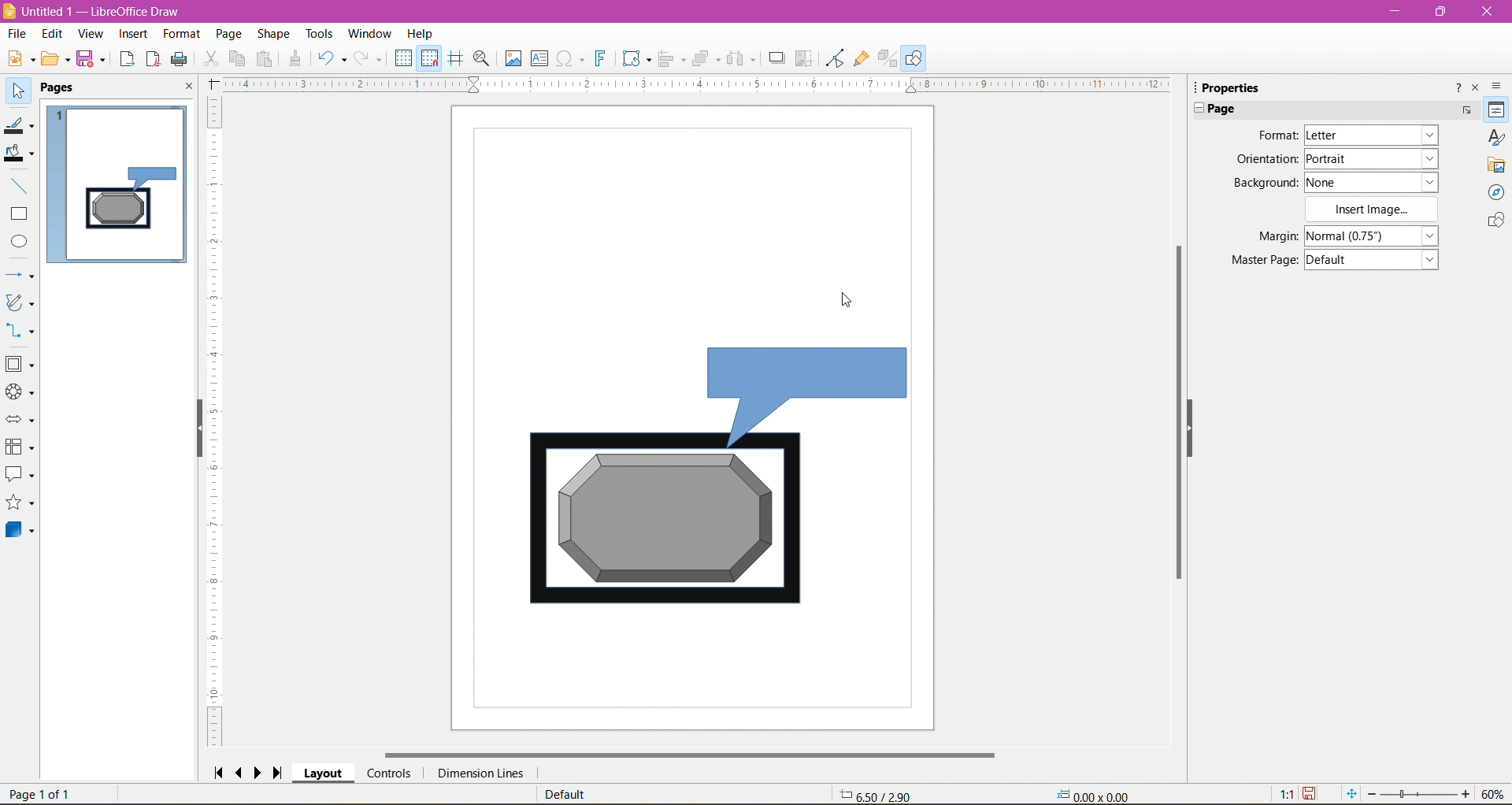 The image size is (1512, 805). What do you see at coordinates (21, 365) in the screenshot?
I see `Basic Shapes` at bounding box center [21, 365].